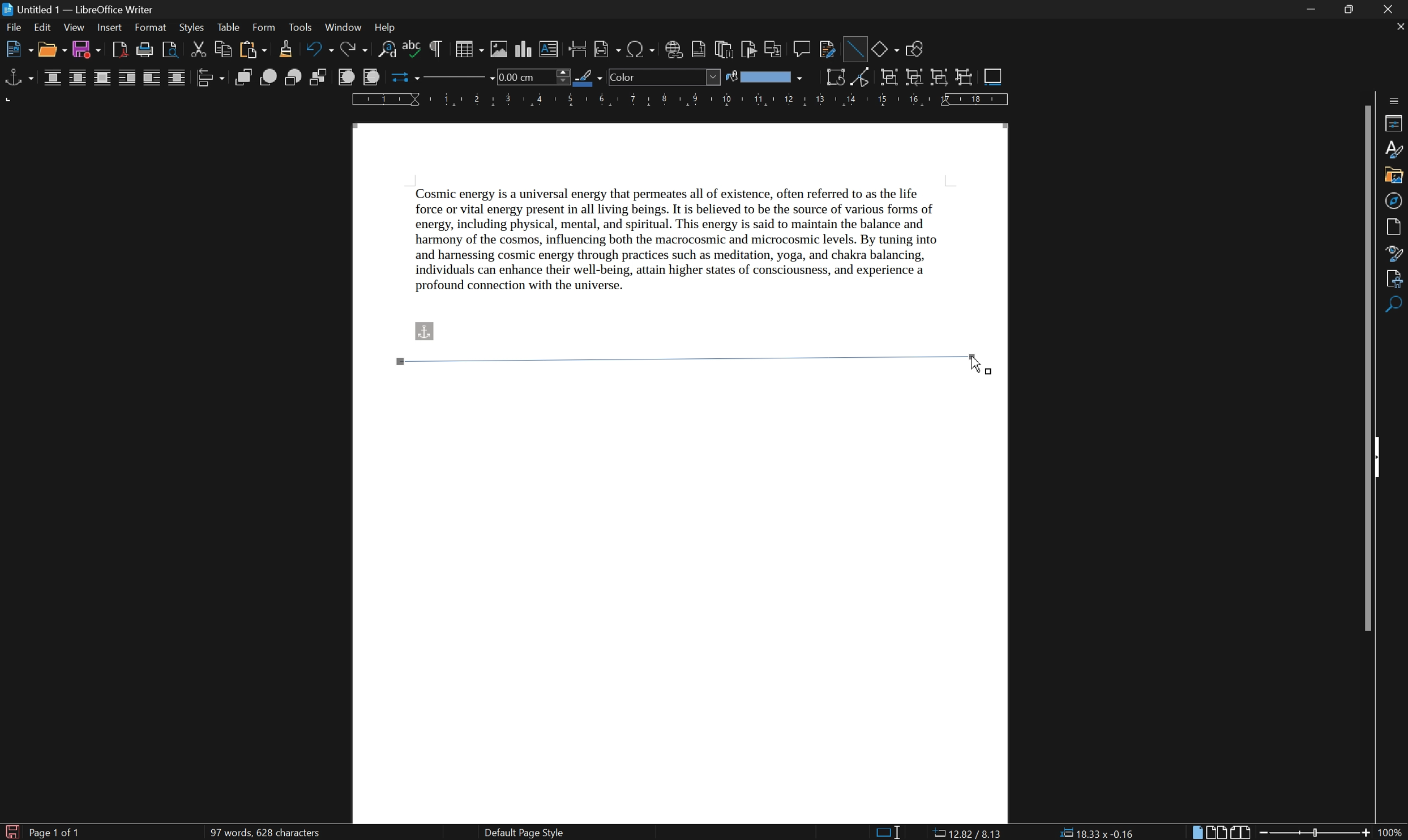 This screenshot has height=840, width=1408. I want to click on 97 words, 628 characters, so click(264, 833).